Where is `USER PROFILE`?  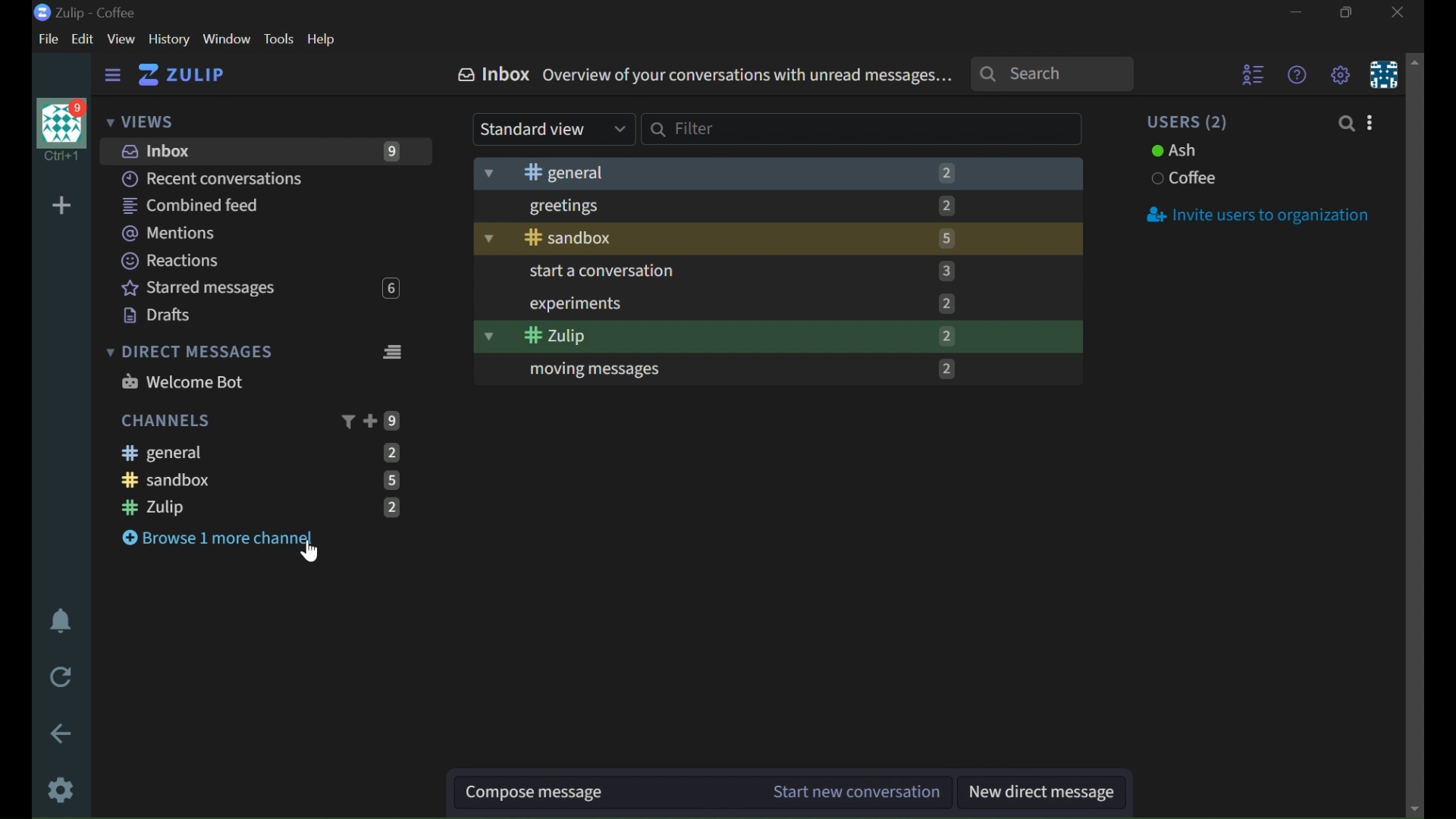
USER PROFILE is located at coordinates (59, 130).